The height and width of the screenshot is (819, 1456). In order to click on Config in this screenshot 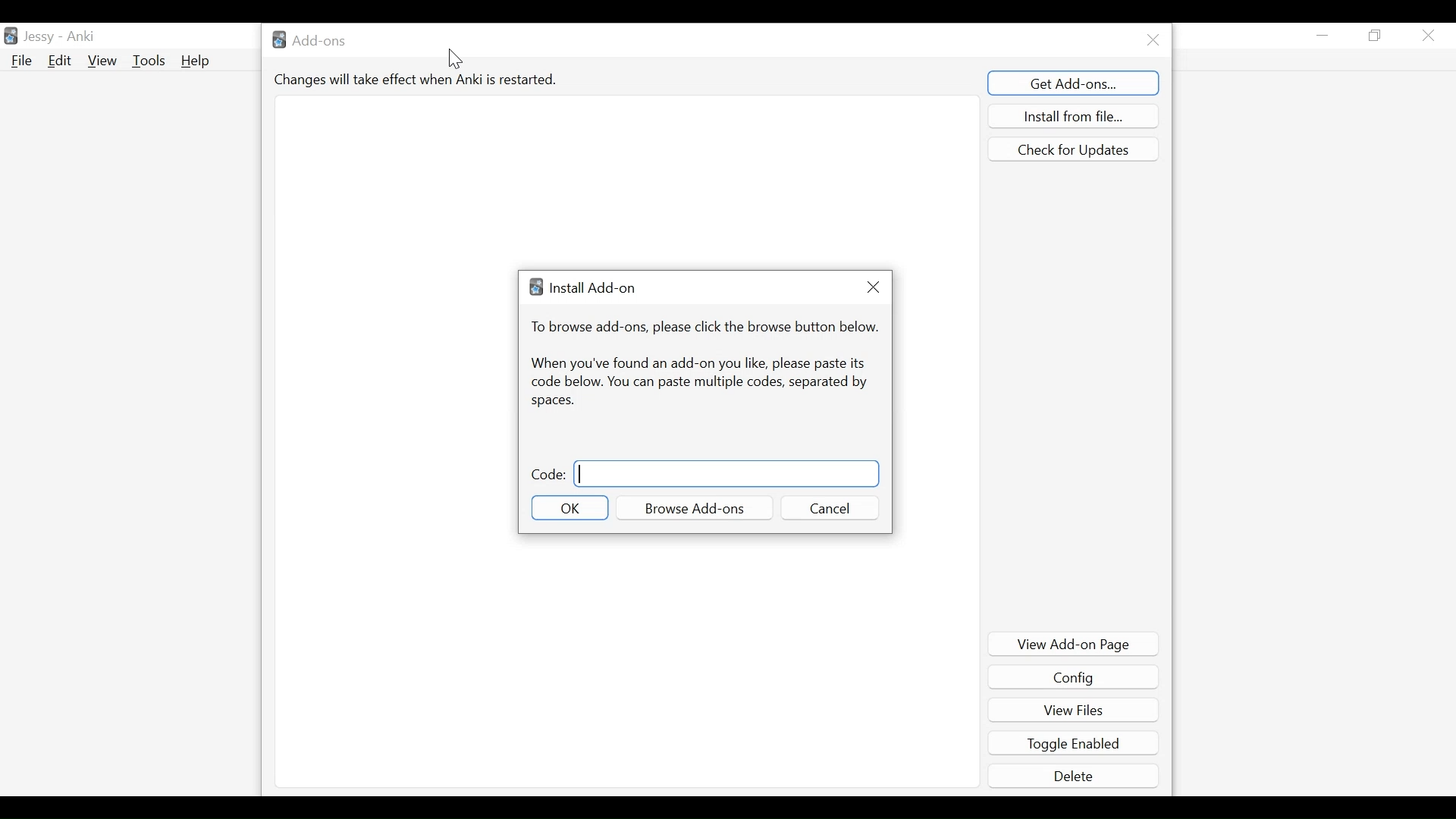, I will do `click(1073, 678)`.